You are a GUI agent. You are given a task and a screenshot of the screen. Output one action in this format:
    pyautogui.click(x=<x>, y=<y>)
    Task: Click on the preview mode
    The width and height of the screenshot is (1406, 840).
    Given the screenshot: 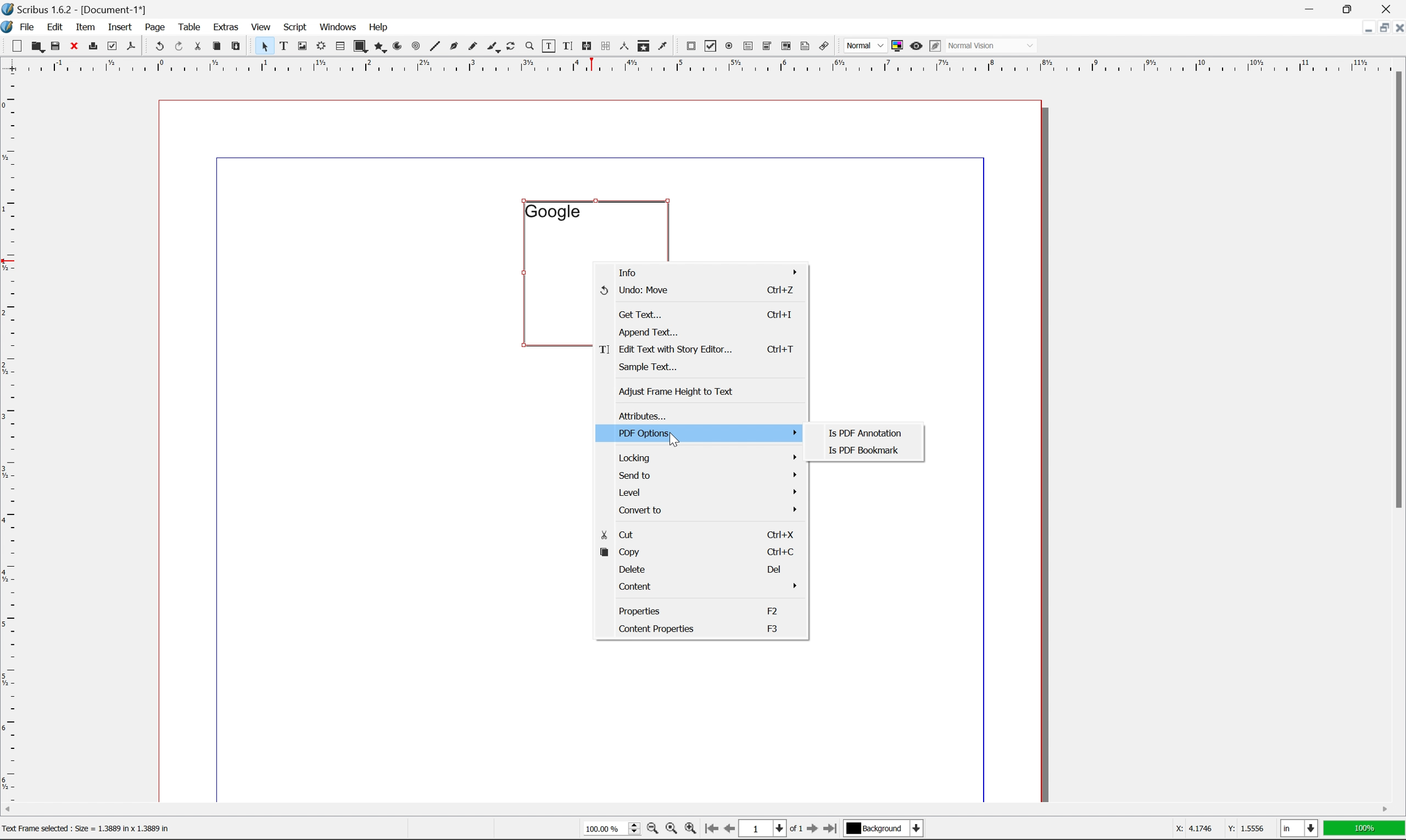 What is the action you would take?
    pyautogui.click(x=914, y=45)
    